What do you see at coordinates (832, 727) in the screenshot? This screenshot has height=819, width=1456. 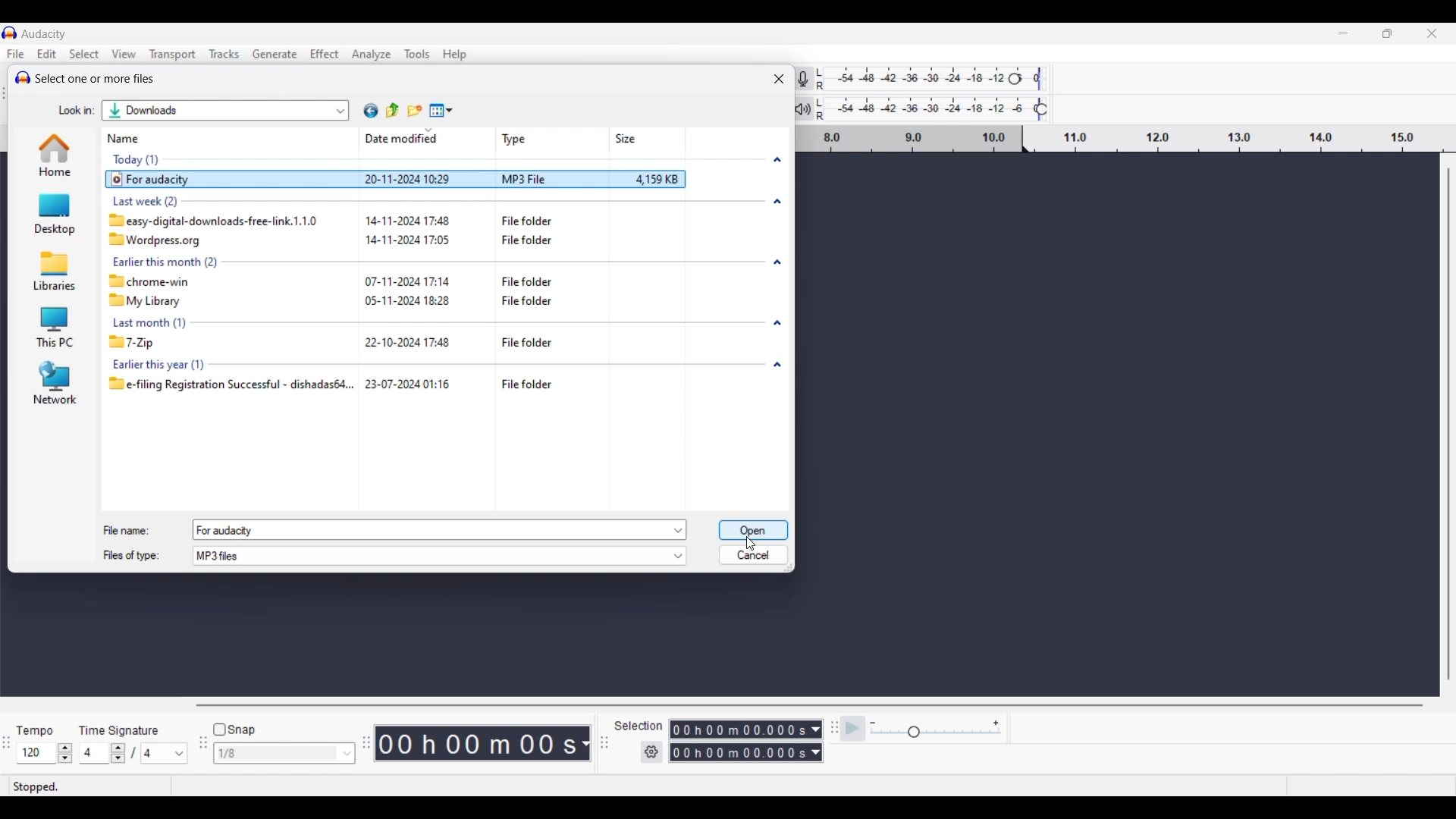 I see `signature time tool bar` at bounding box center [832, 727].